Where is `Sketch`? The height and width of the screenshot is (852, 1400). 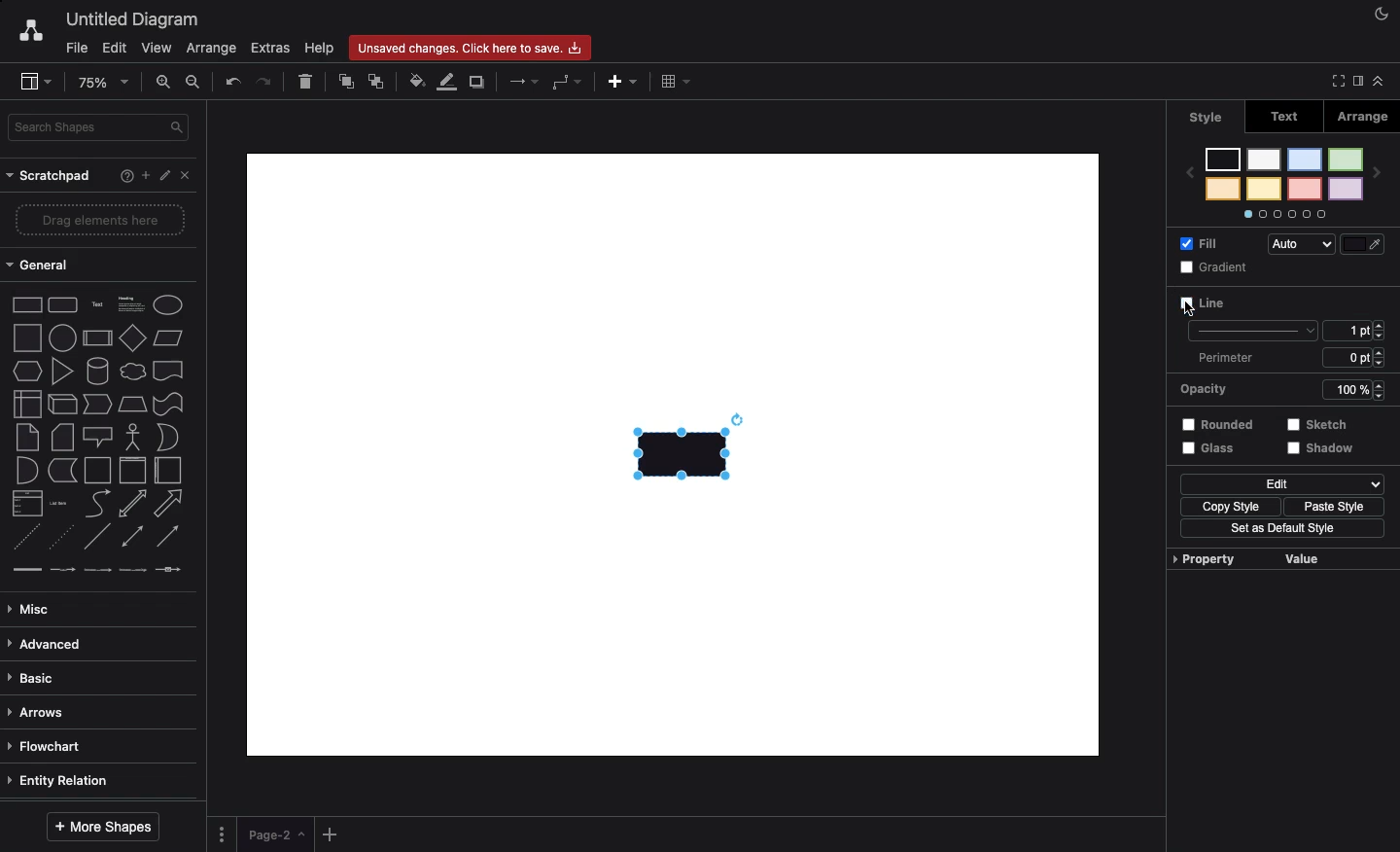
Sketch is located at coordinates (1319, 424).